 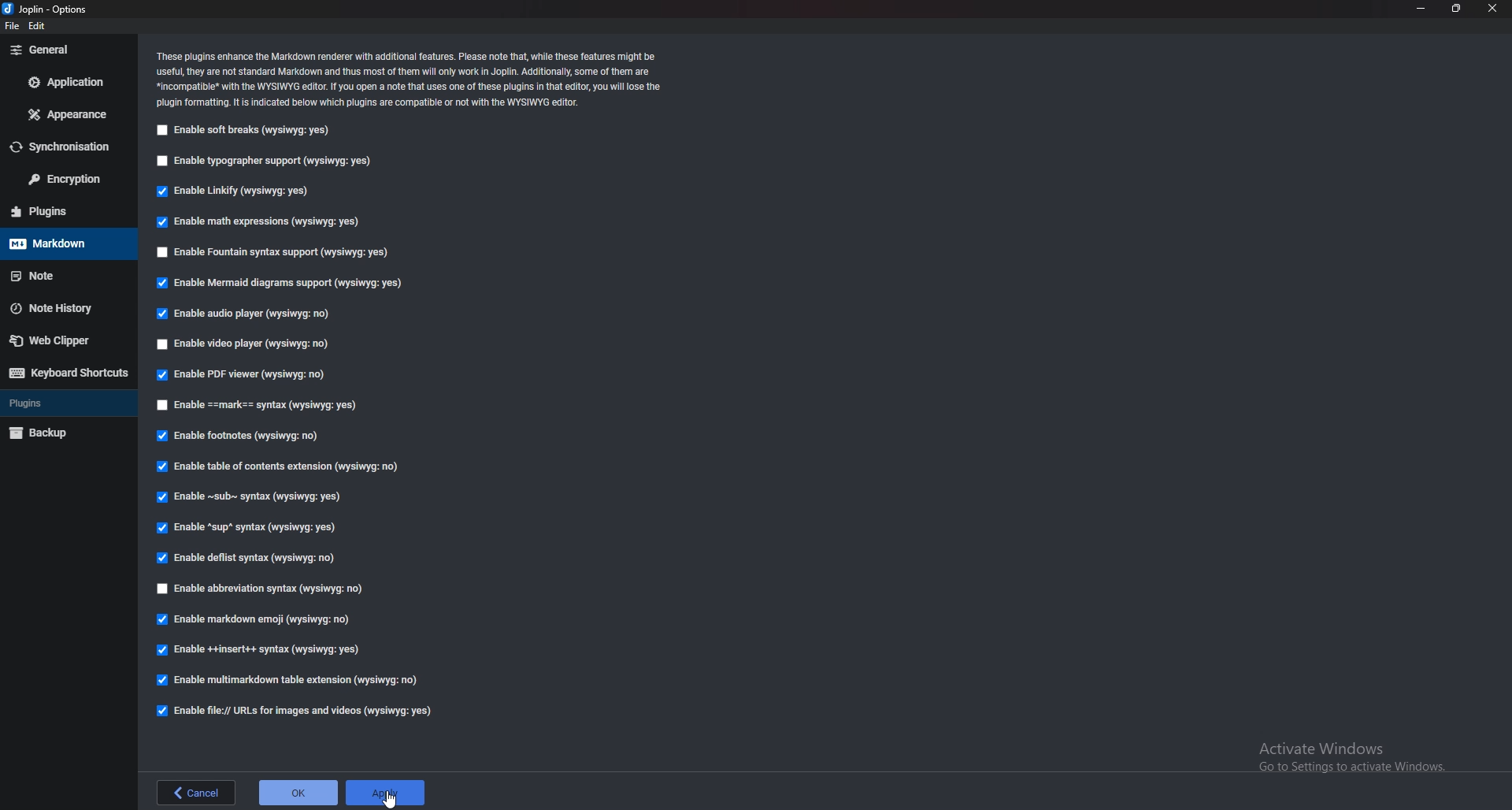 I want to click on apply, so click(x=385, y=793).